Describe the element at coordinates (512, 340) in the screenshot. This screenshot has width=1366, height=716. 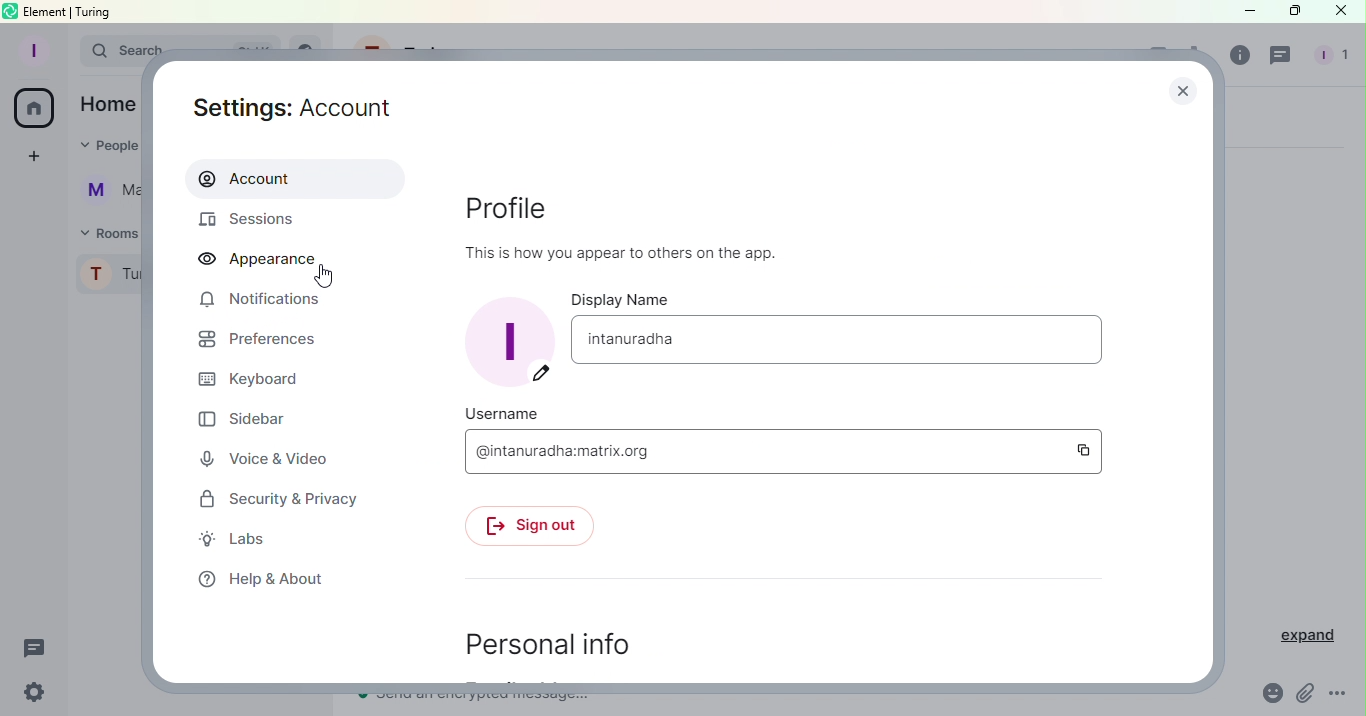
I see `Profile picture` at that location.